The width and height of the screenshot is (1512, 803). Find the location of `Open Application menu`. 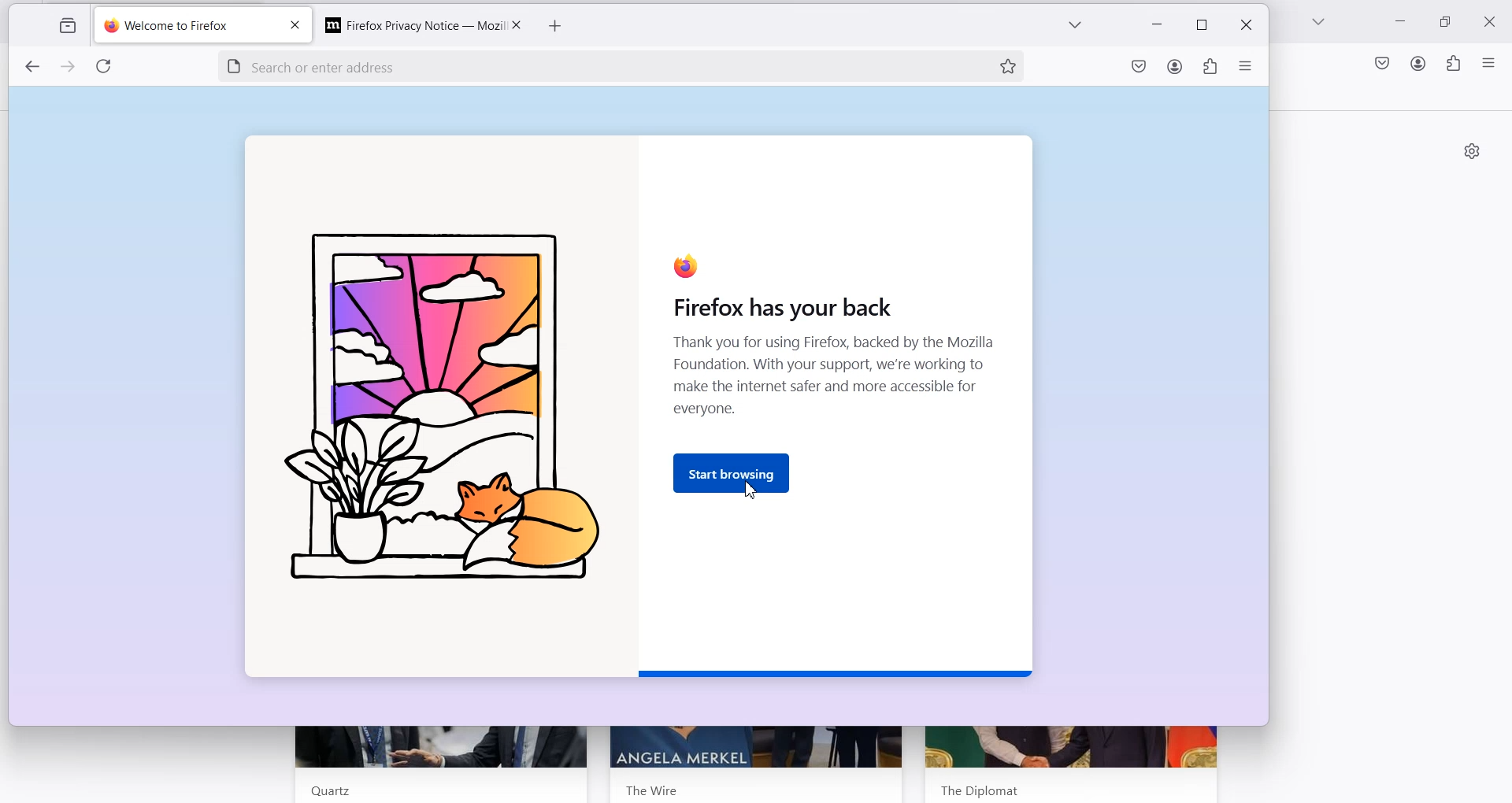

Open Application menu is located at coordinates (1490, 62).